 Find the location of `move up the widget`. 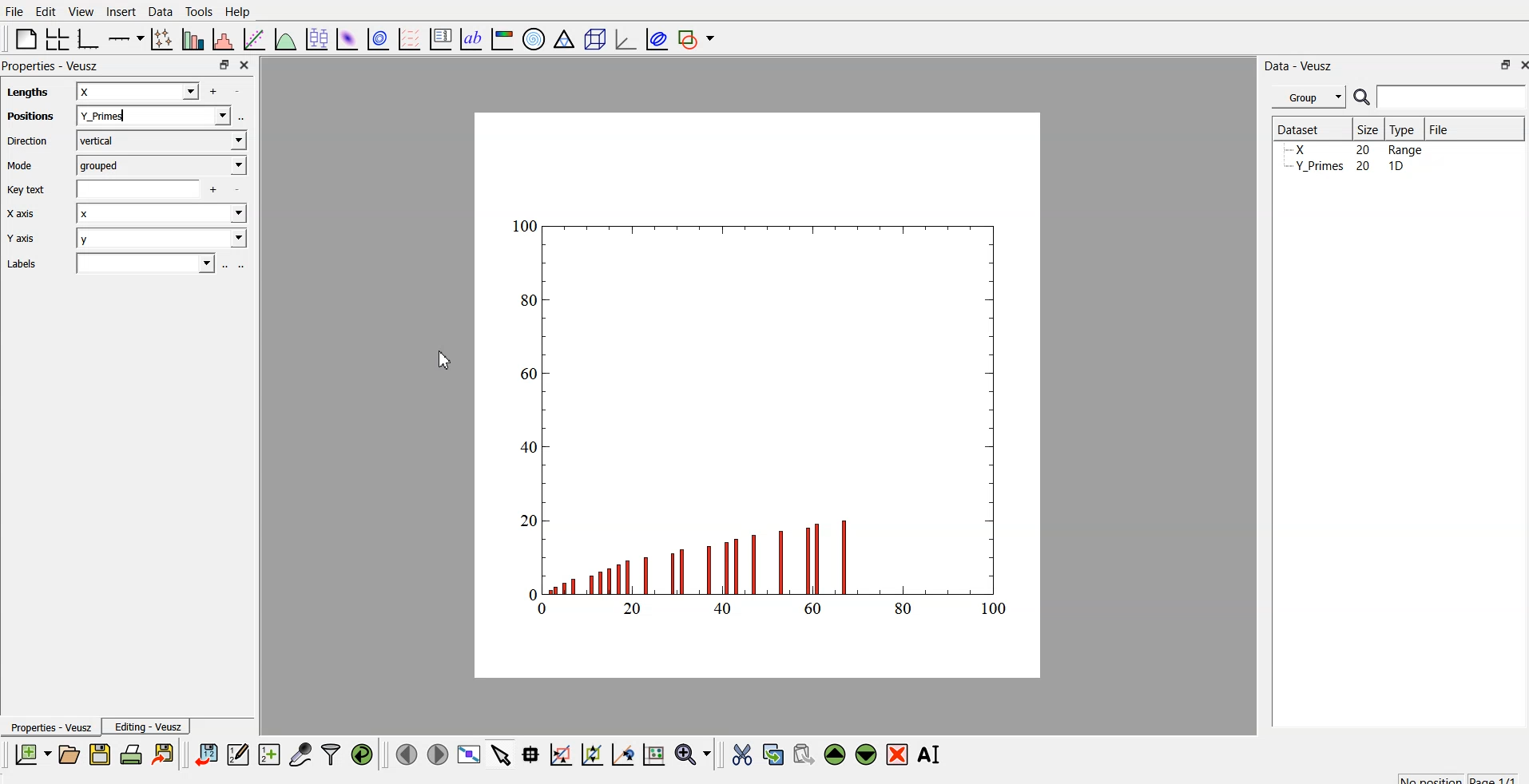

move up the widget is located at coordinates (833, 754).